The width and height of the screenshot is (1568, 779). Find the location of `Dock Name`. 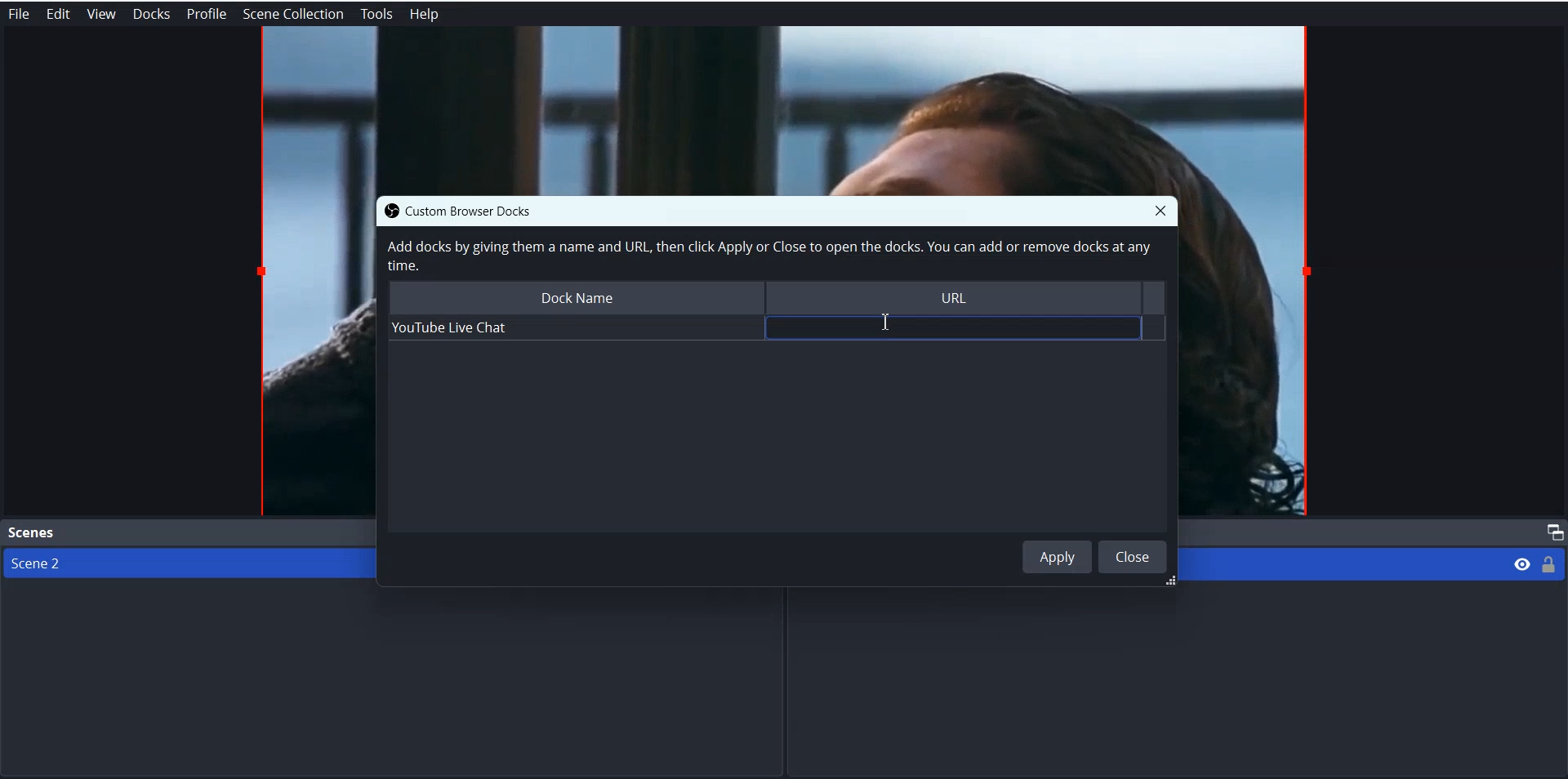

Dock Name is located at coordinates (574, 296).